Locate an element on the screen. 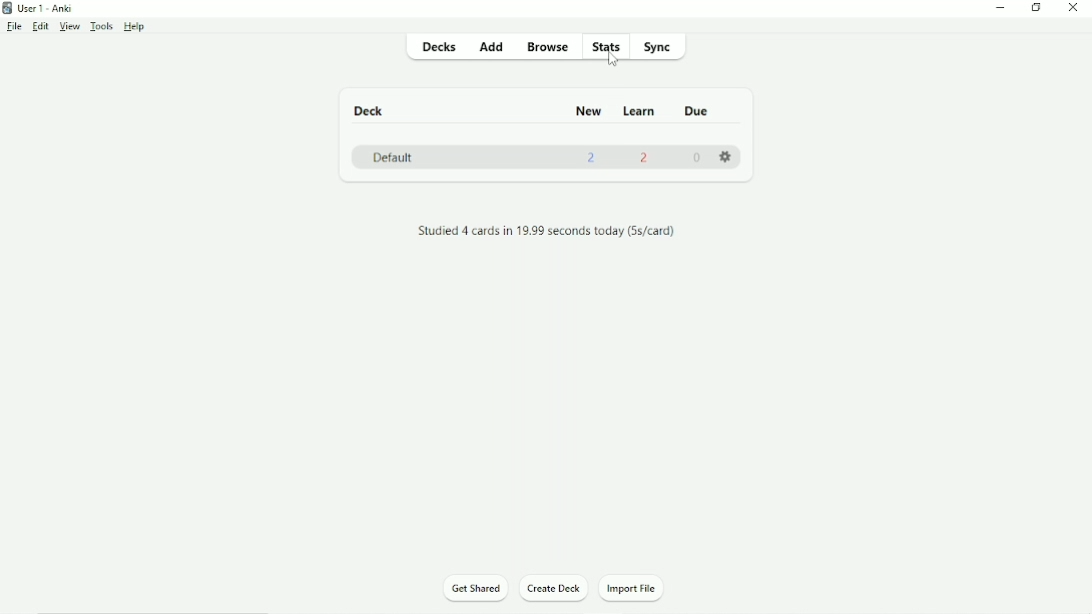  Stats is located at coordinates (608, 46).